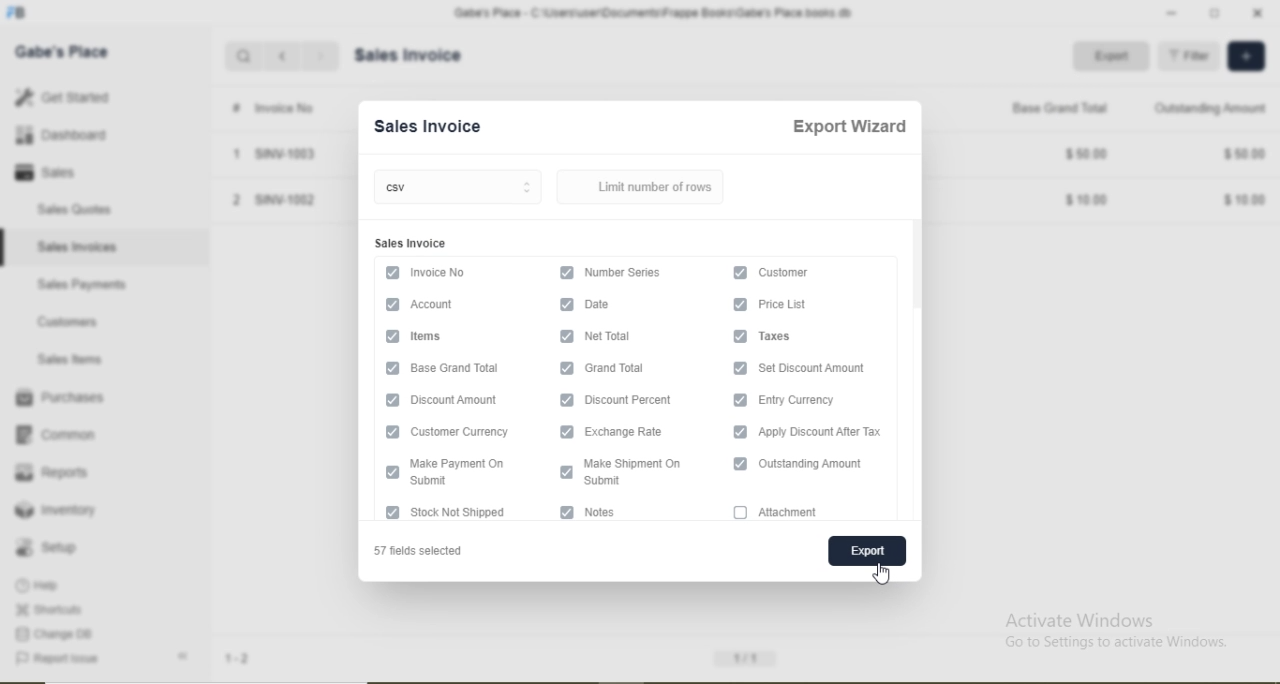  What do you see at coordinates (475, 513) in the screenshot?
I see `Stock Not Shipped` at bounding box center [475, 513].